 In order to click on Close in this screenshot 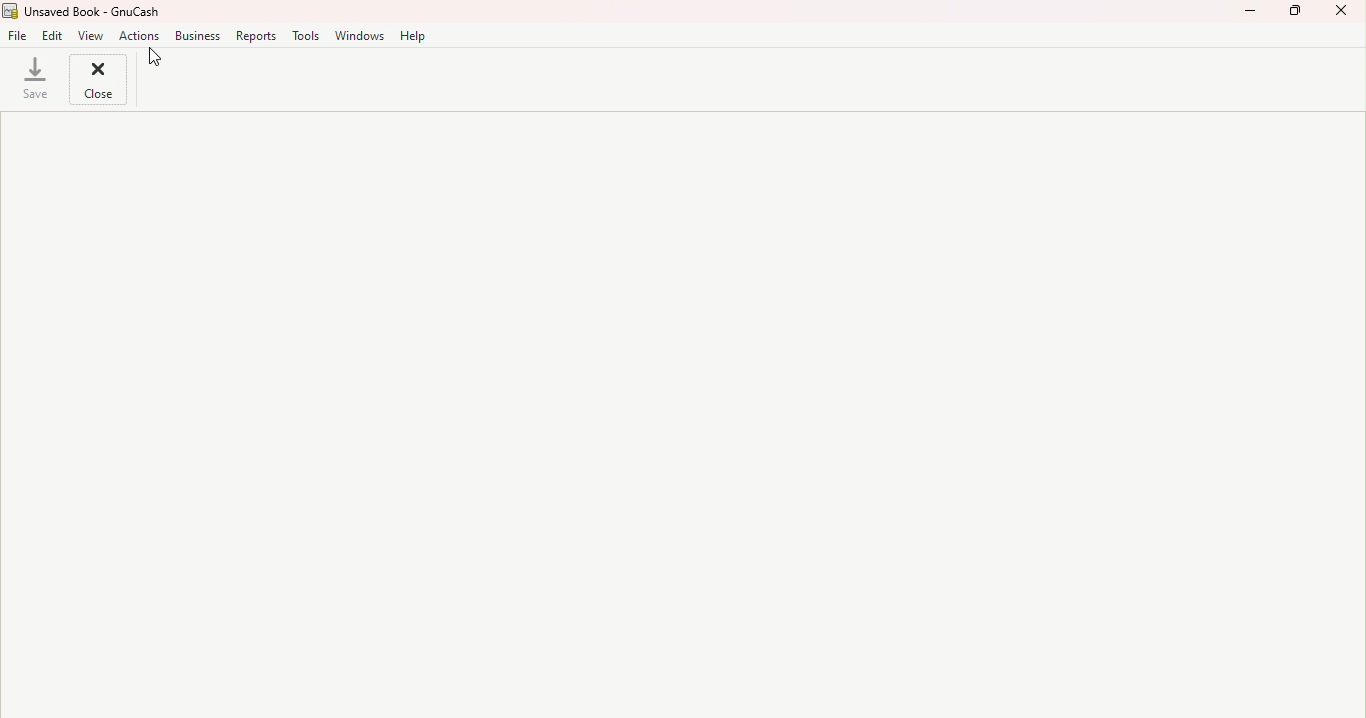, I will do `click(1343, 15)`.